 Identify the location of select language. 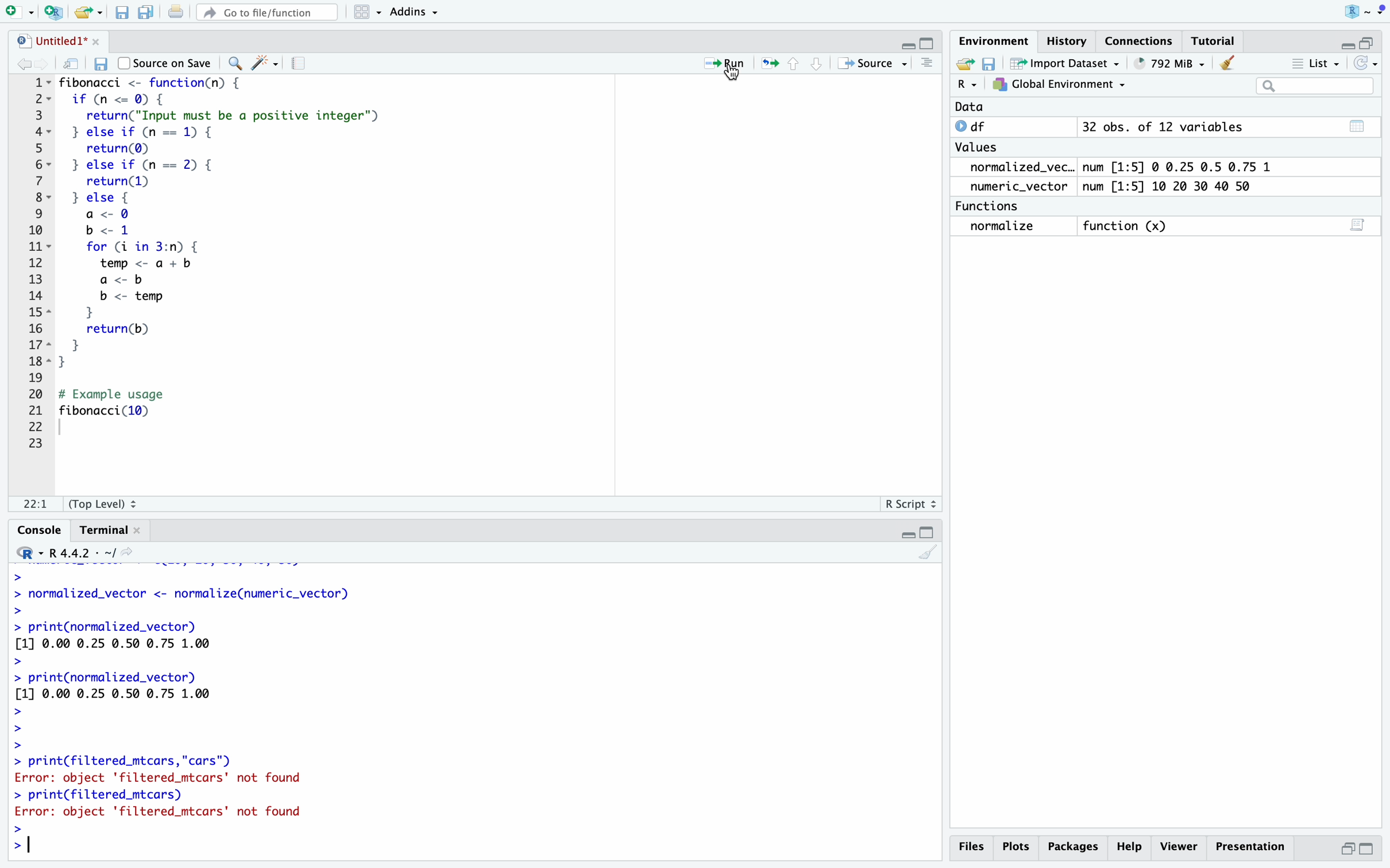
(22, 555).